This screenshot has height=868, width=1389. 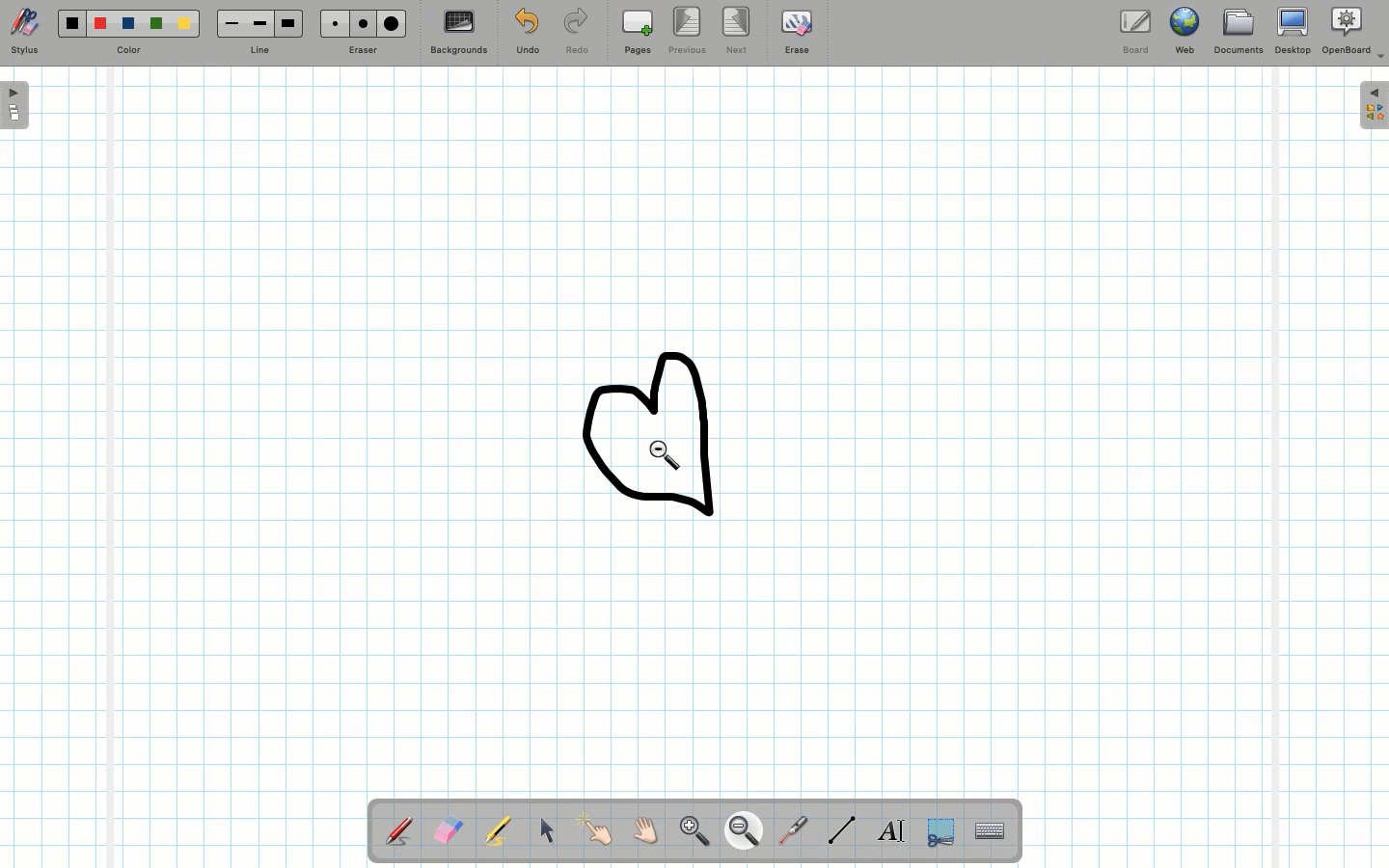 What do you see at coordinates (691, 829) in the screenshot?
I see `Zoom in` at bounding box center [691, 829].